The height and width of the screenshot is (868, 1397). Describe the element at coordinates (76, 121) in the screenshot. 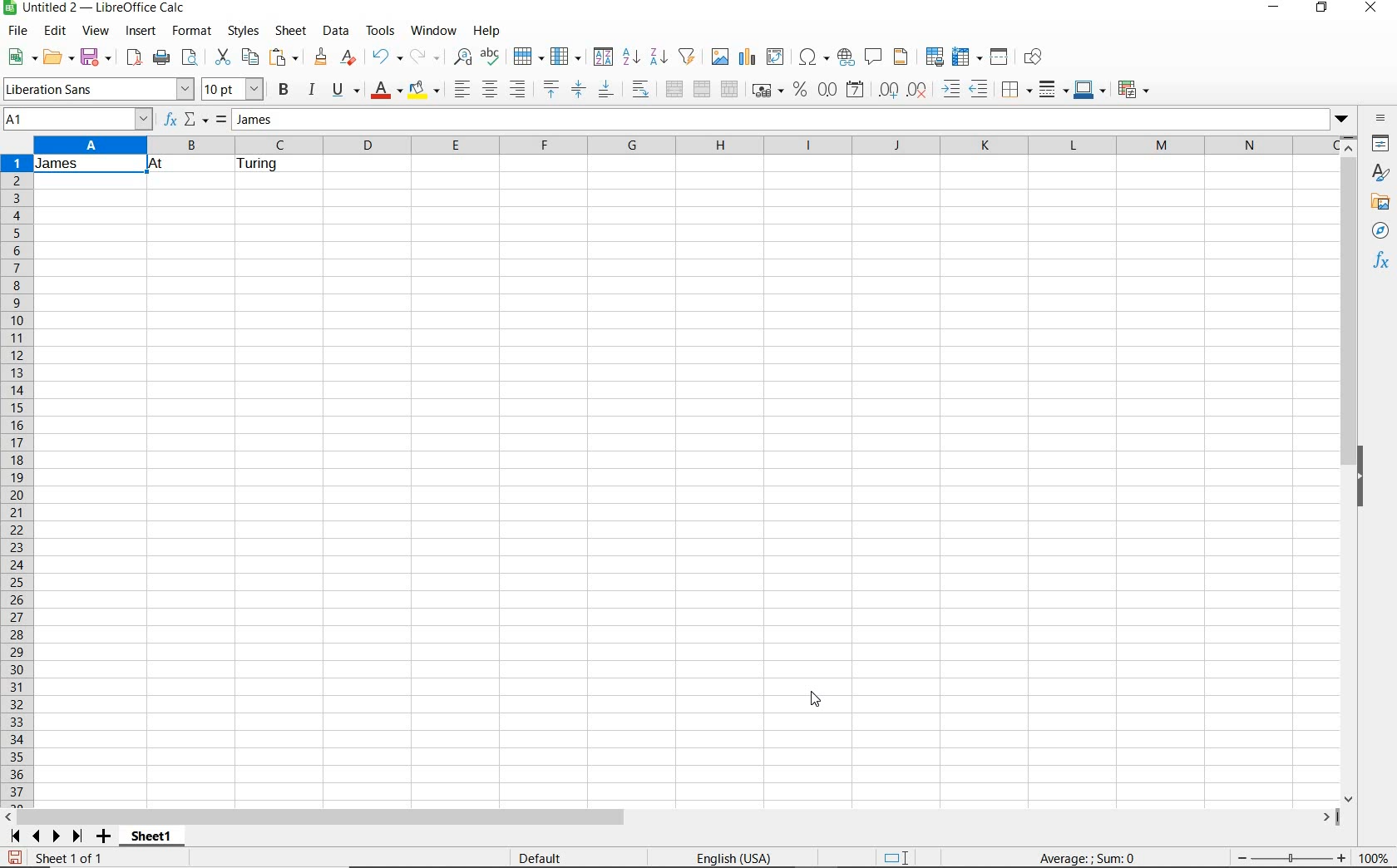

I see `A1` at that location.